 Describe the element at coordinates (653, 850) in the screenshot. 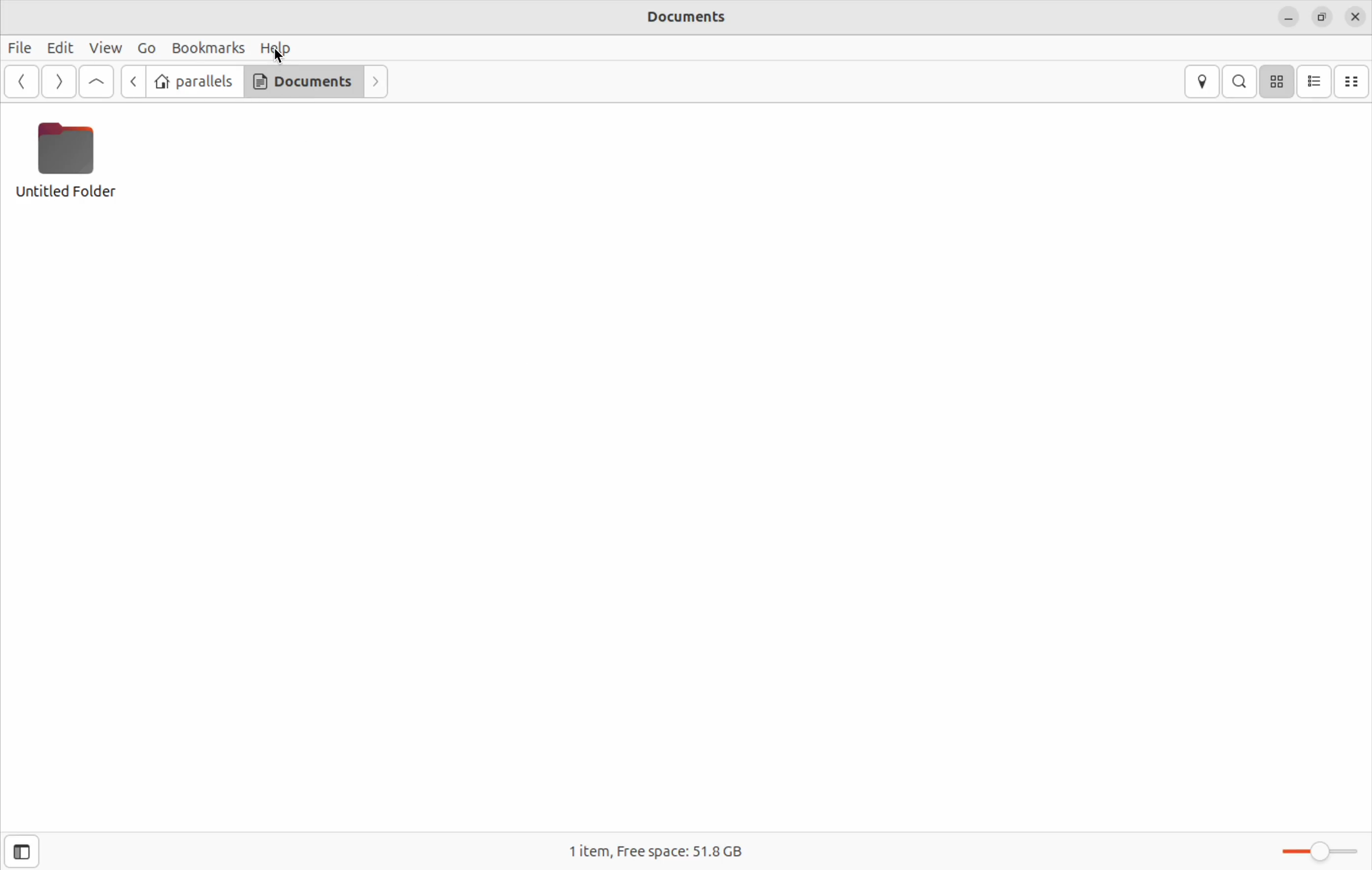

I see `1 item free space 51.8Gb` at that location.